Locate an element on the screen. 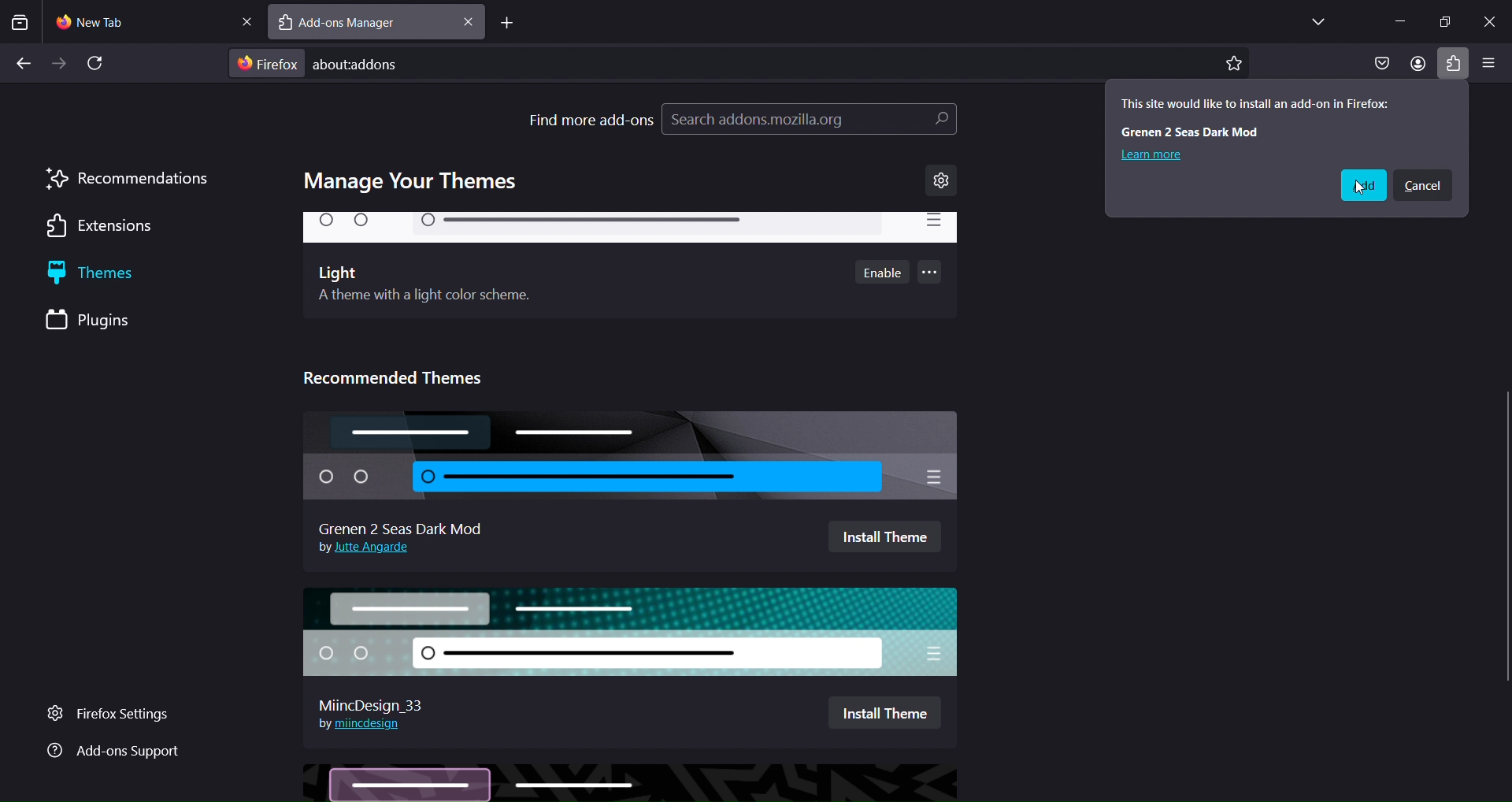 The width and height of the screenshot is (1512, 802). find more add-ons is located at coordinates (591, 117).